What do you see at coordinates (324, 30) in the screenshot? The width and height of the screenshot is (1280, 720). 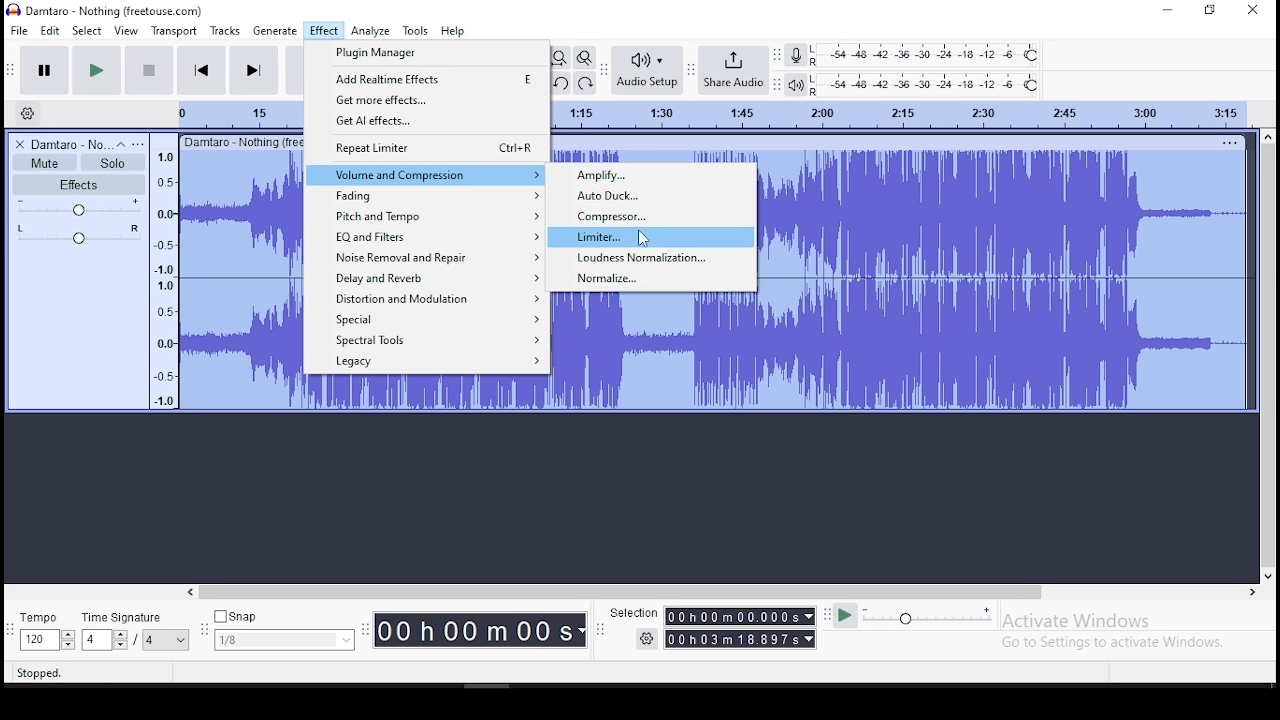 I see `effect` at bounding box center [324, 30].